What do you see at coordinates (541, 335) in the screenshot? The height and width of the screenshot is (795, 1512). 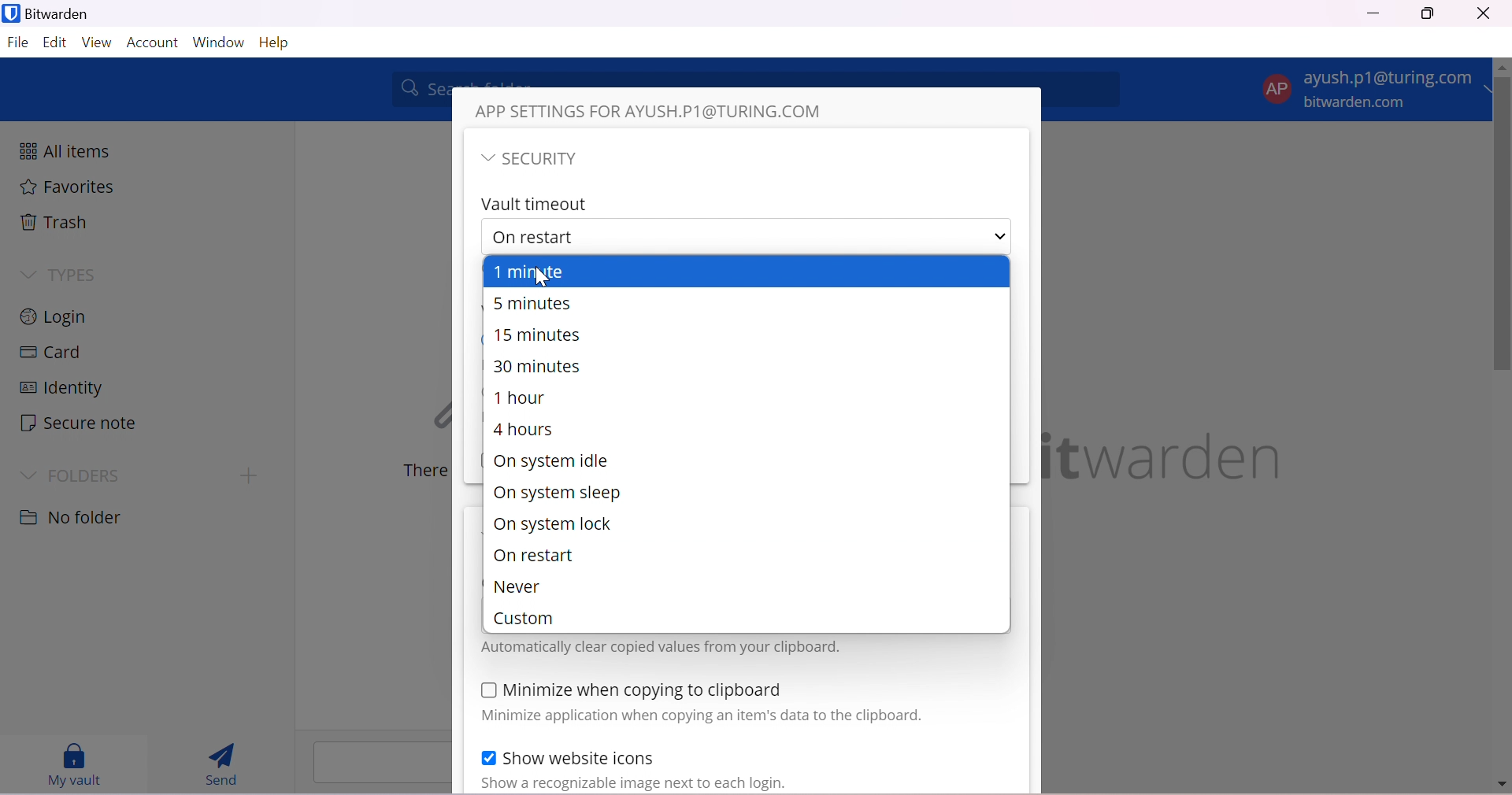 I see `15 minutes` at bounding box center [541, 335].